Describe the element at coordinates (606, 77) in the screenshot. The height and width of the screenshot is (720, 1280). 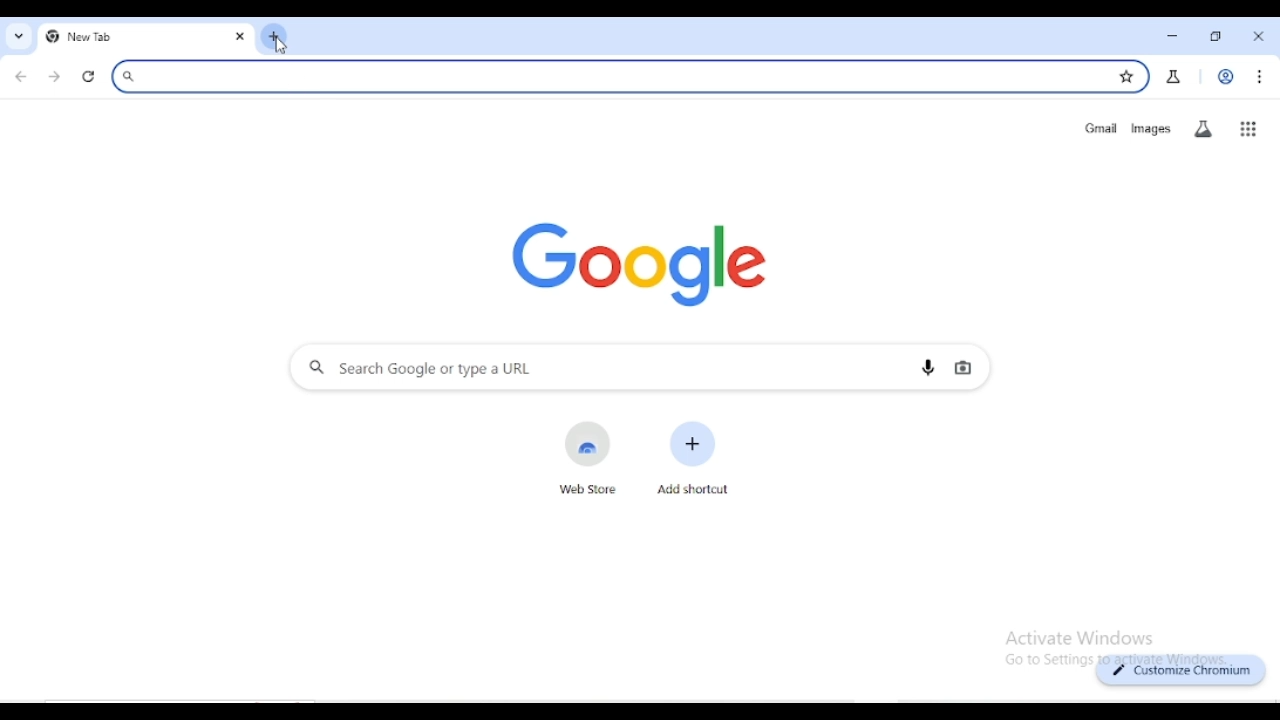
I see `search bar` at that location.